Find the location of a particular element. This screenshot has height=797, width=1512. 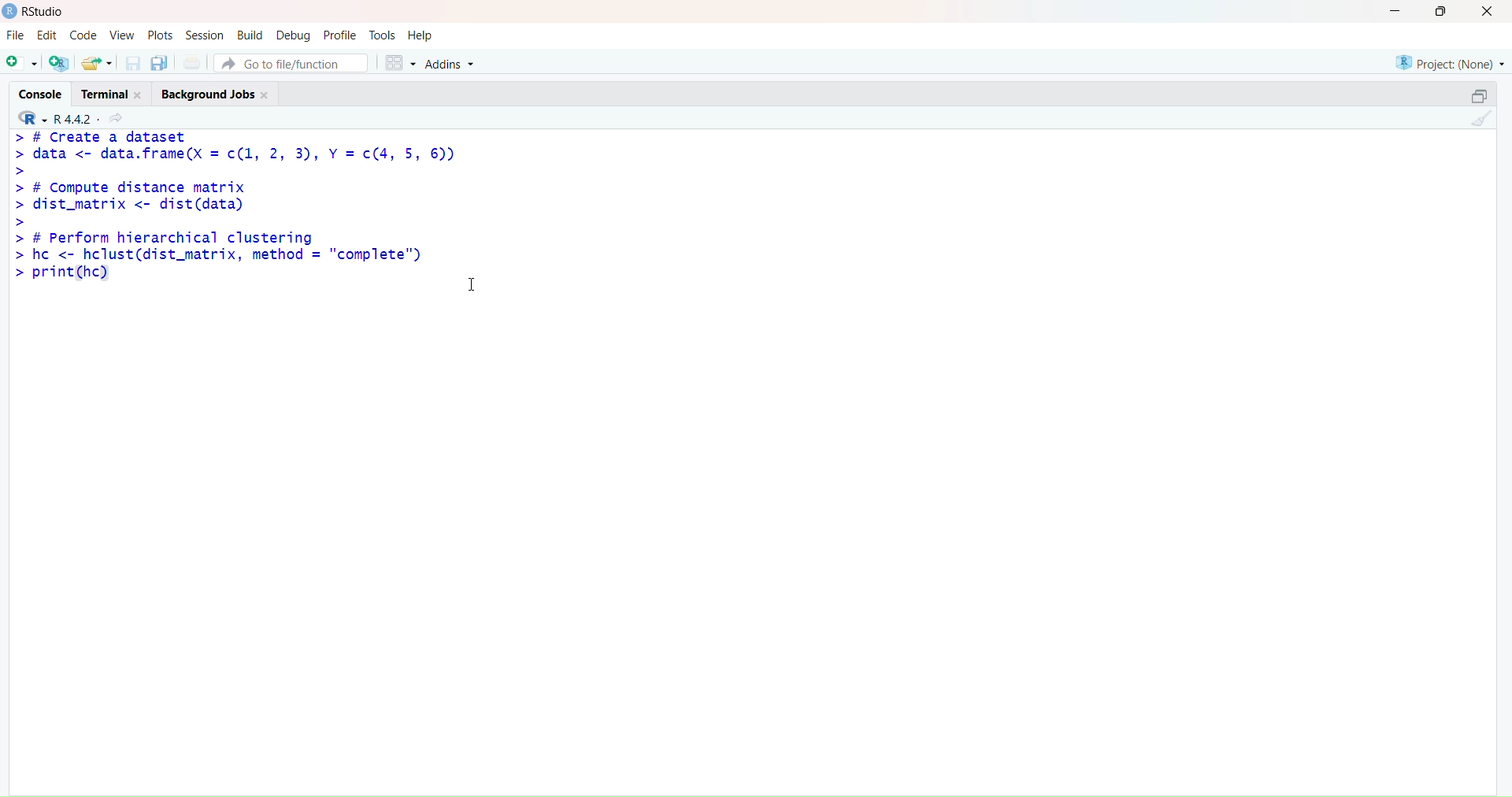

R is located at coordinates (28, 119).